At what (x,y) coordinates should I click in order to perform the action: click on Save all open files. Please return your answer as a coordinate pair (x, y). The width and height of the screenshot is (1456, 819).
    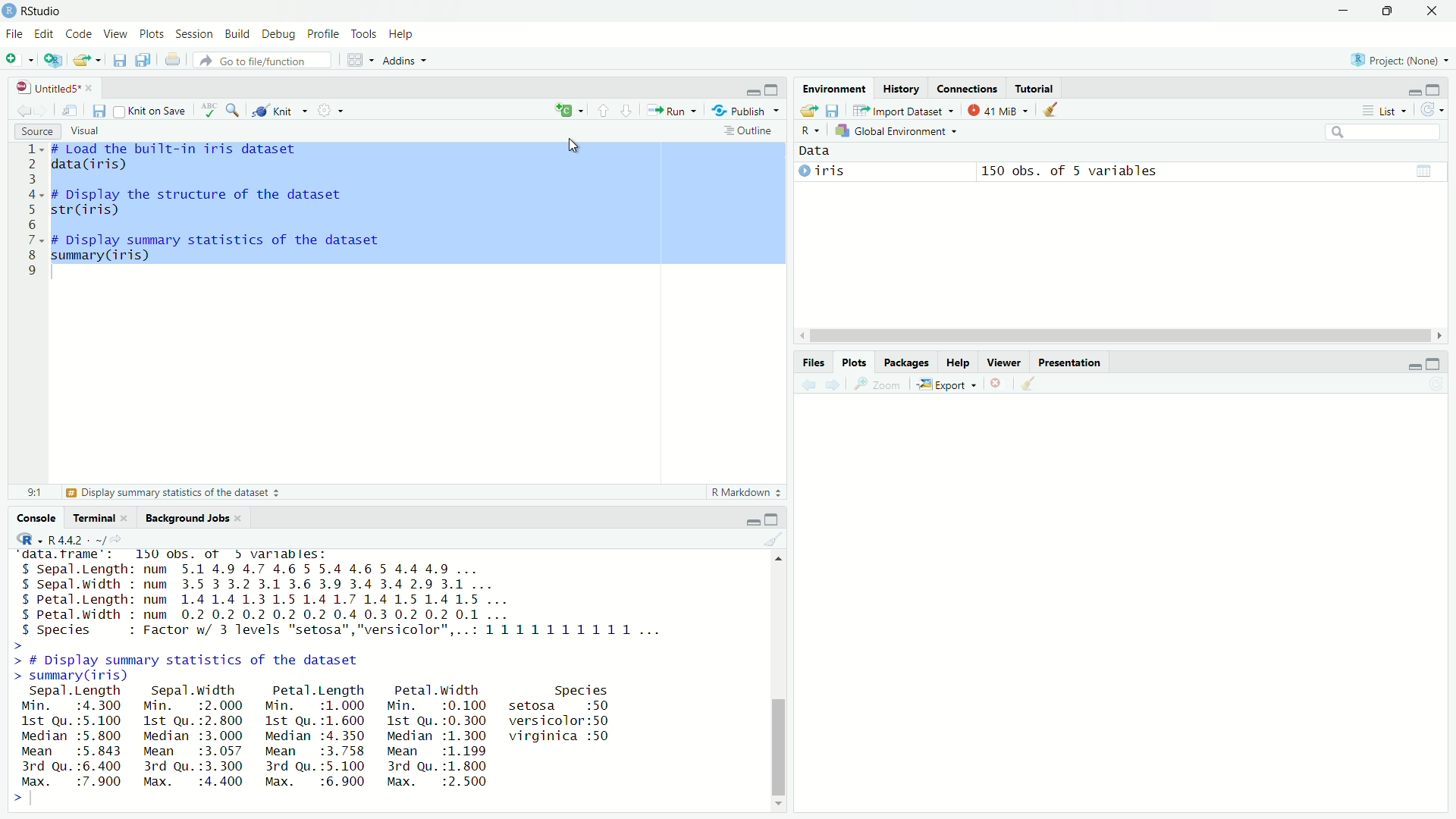
    Looking at the image, I should click on (143, 60).